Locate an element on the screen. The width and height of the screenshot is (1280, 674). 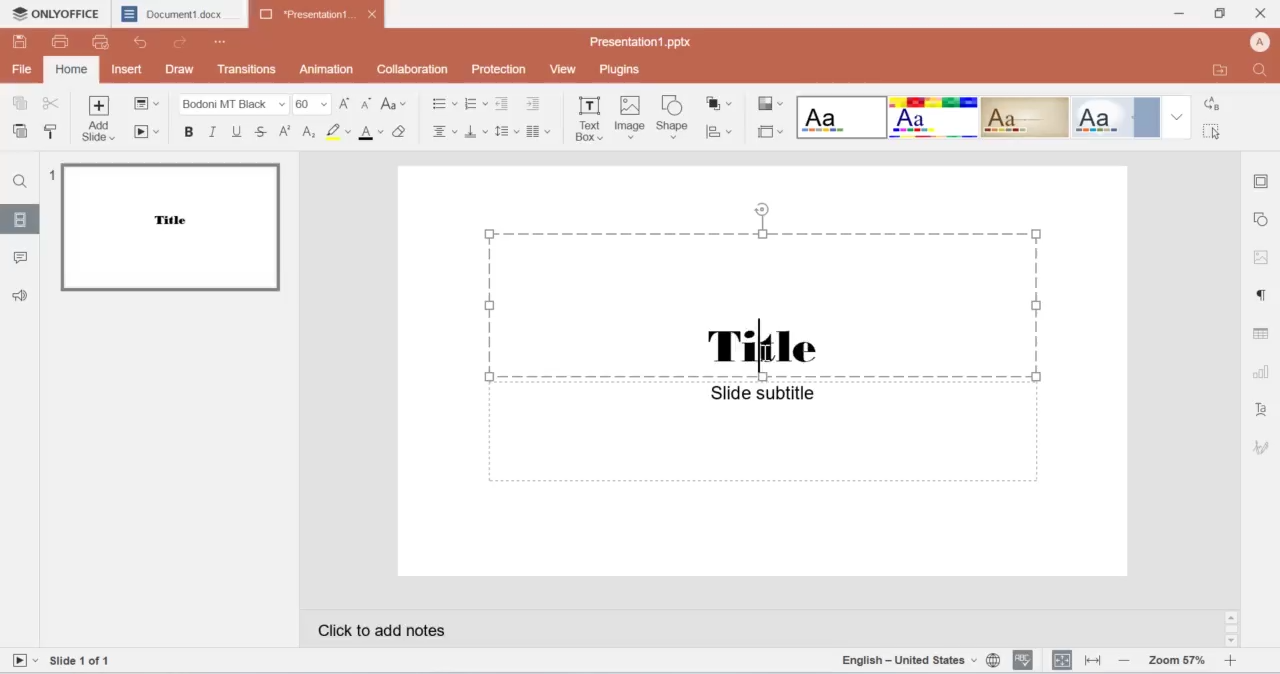
audio is located at coordinates (27, 294).